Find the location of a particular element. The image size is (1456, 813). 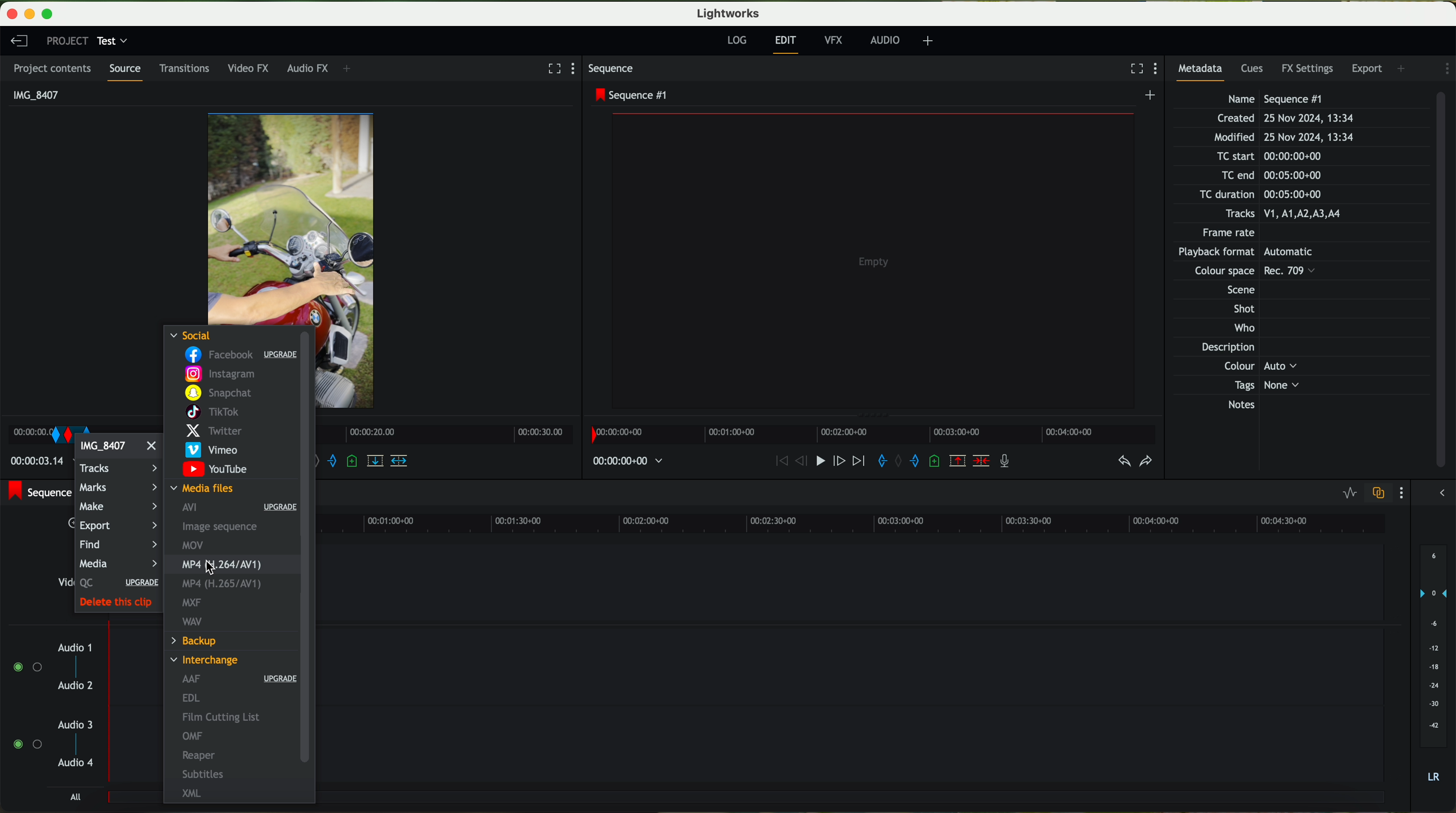

TC duration is located at coordinates (1254, 196).